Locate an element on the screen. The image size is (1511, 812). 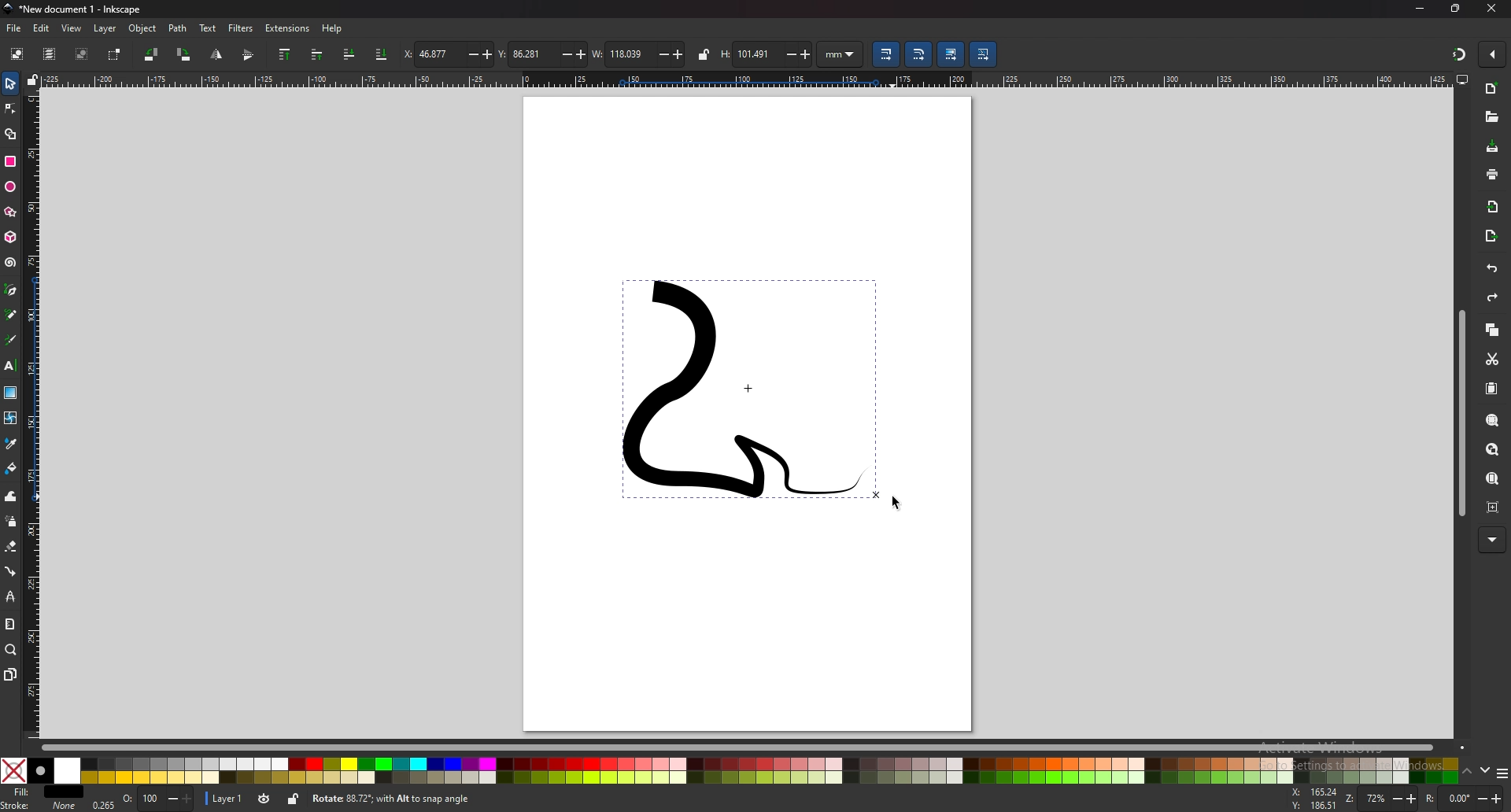
raise selection one step is located at coordinates (316, 55).